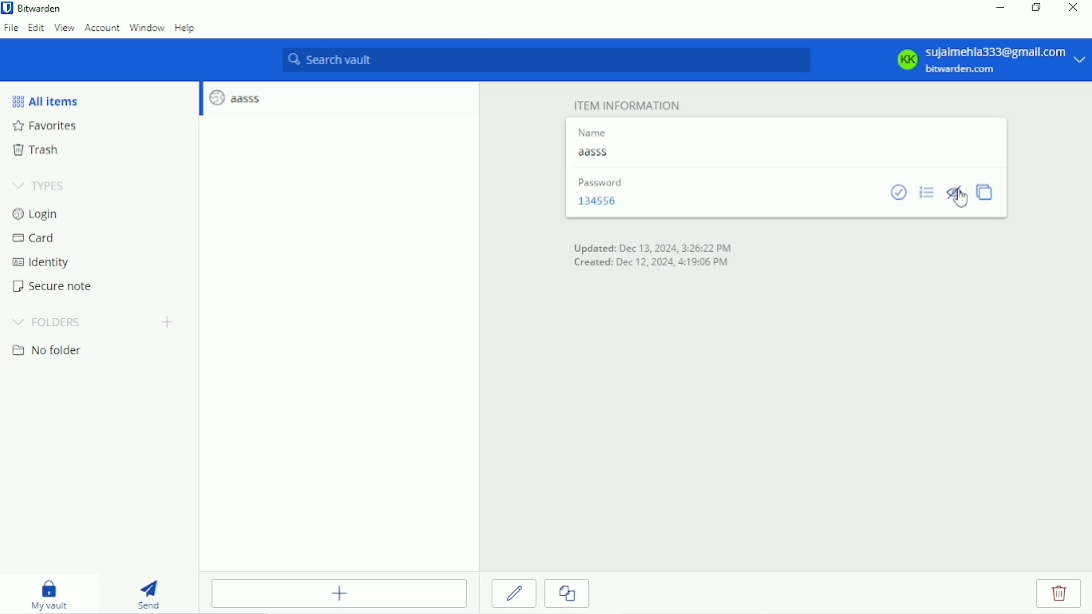 This screenshot has width=1092, height=614. Describe the element at coordinates (42, 9) in the screenshot. I see `Bitwarden application name` at that location.